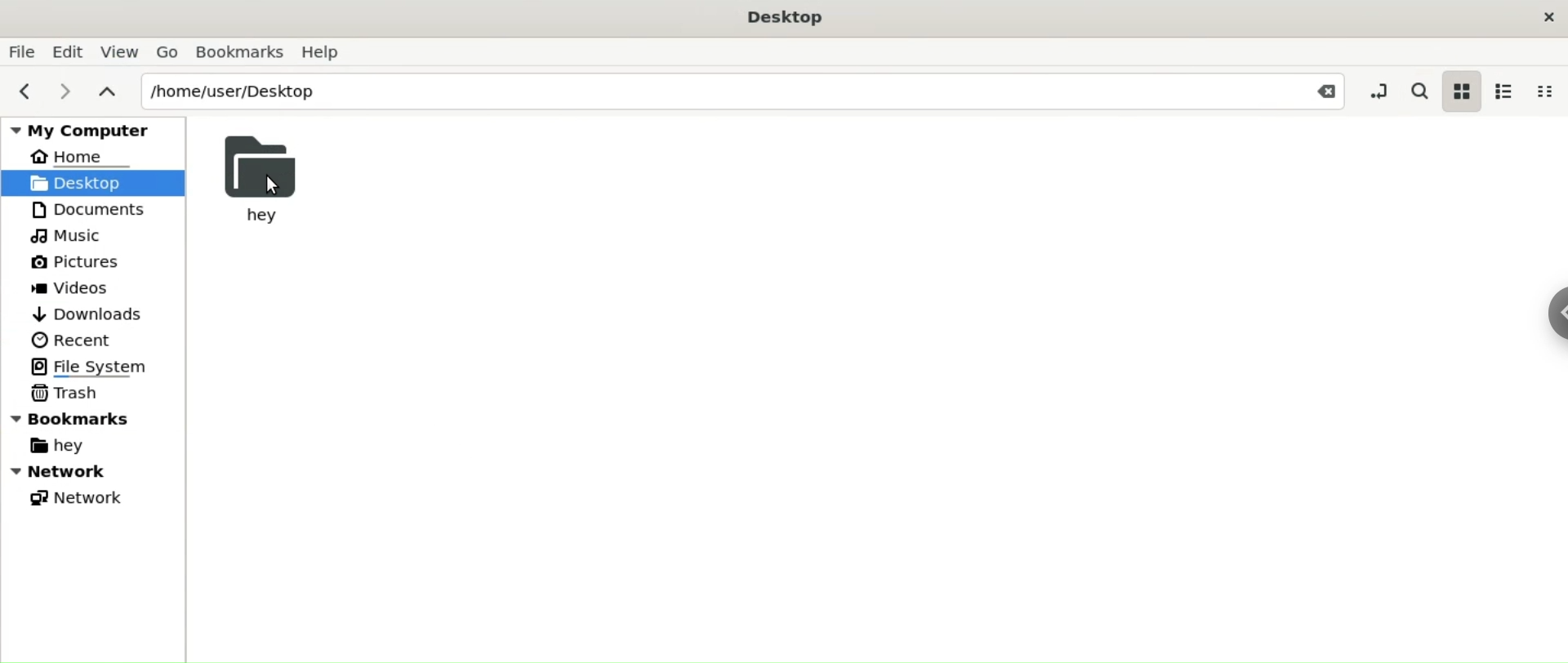  Describe the element at coordinates (170, 52) in the screenshot. I see `Go` at that location.